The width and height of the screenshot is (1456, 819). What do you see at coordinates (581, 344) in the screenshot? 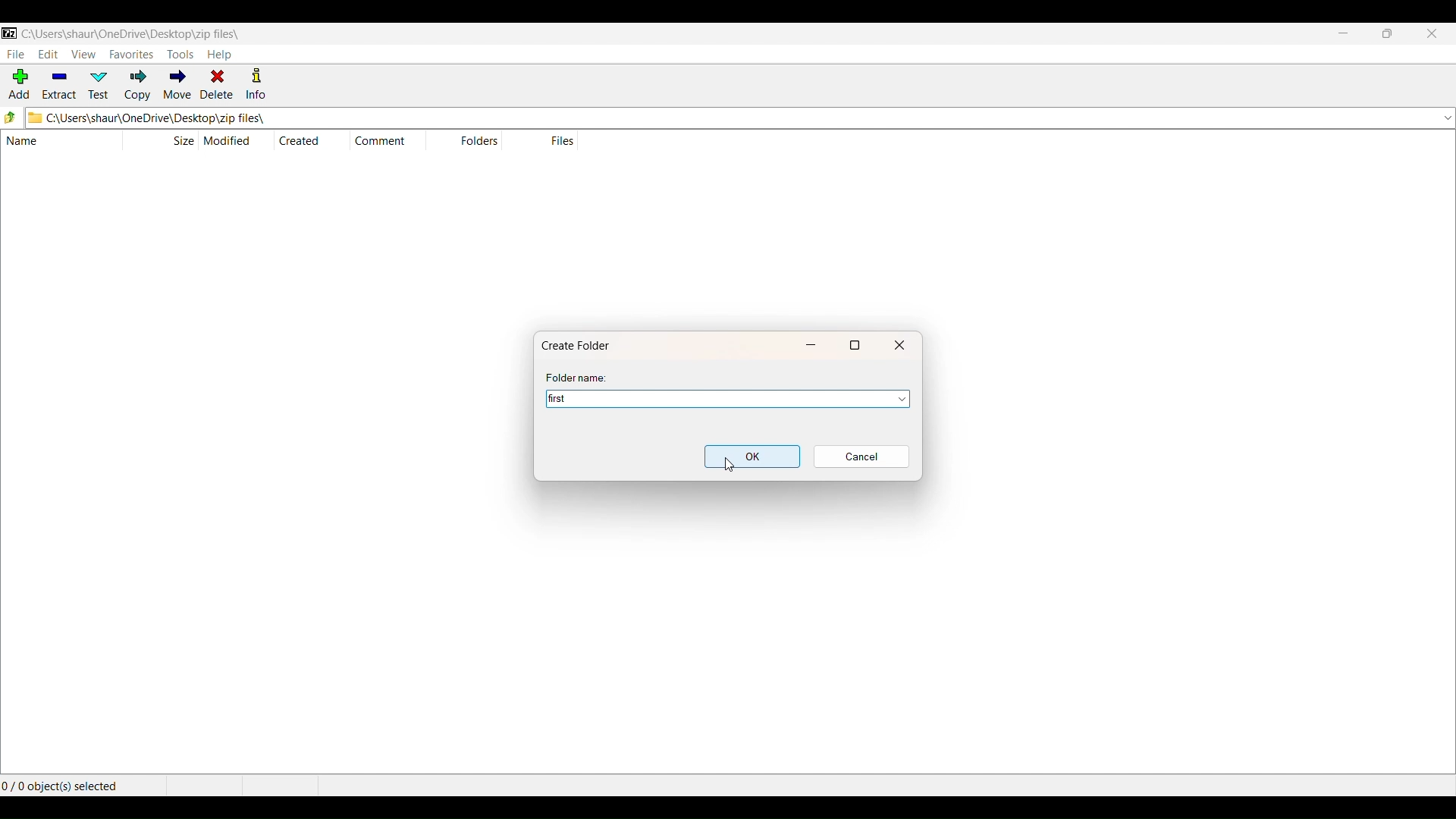
I see `create folder` at bounding box center [581, 344].